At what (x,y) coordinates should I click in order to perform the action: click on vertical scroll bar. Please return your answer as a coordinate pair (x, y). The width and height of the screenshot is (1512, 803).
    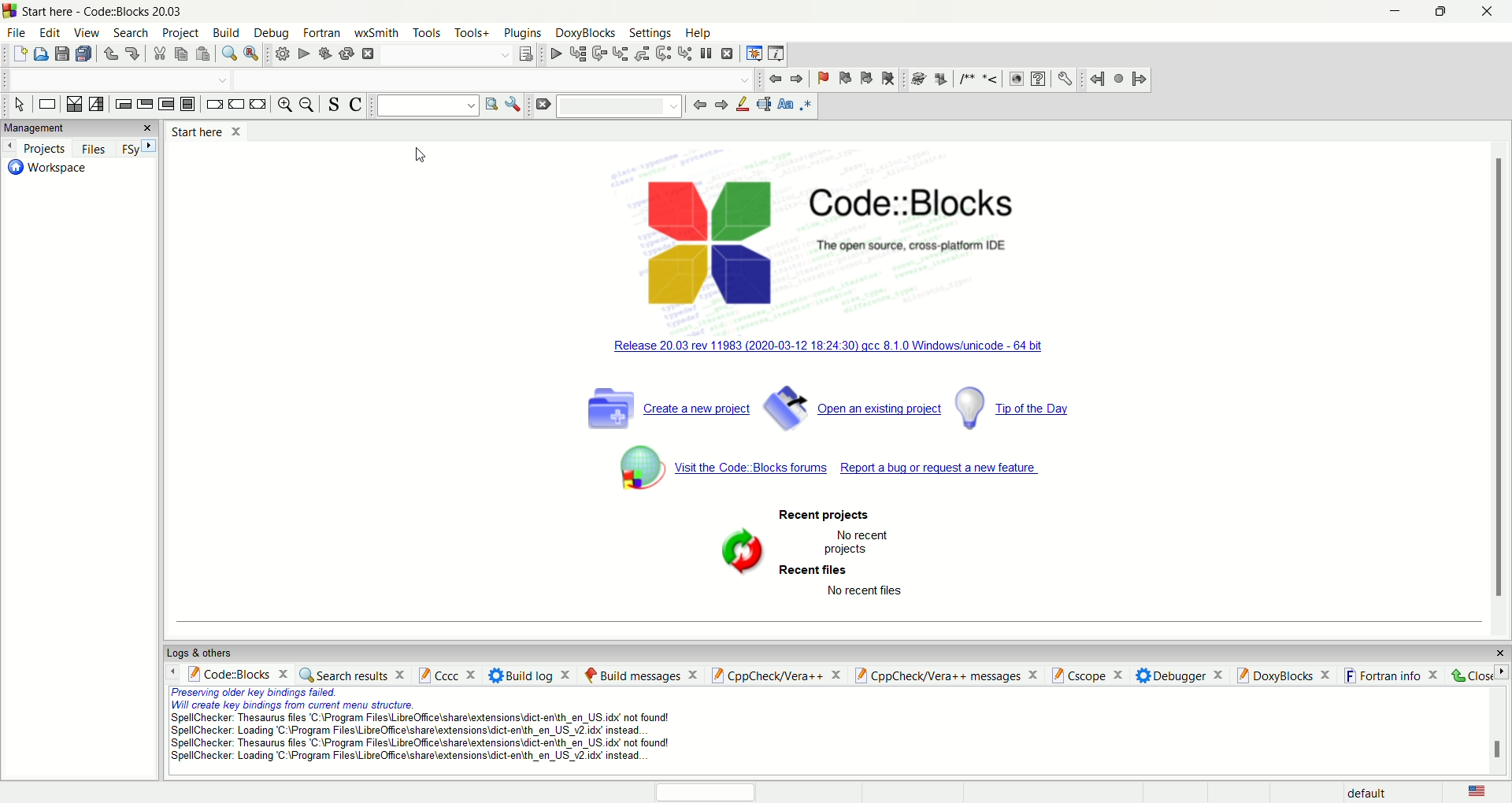
    Looking at the image, I should click on (1495, 731).